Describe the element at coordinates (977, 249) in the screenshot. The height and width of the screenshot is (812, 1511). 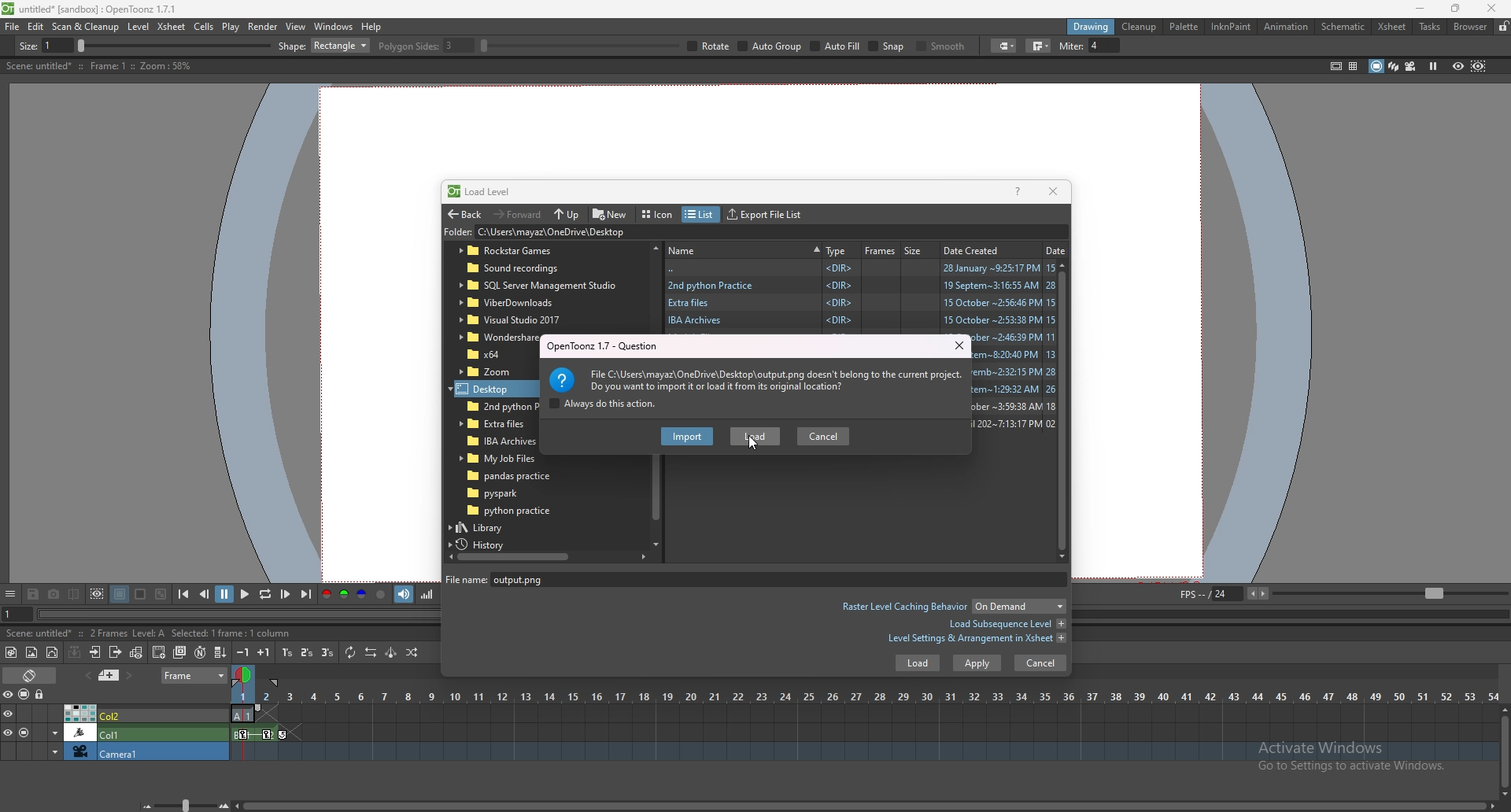
I see `date created` at that location.